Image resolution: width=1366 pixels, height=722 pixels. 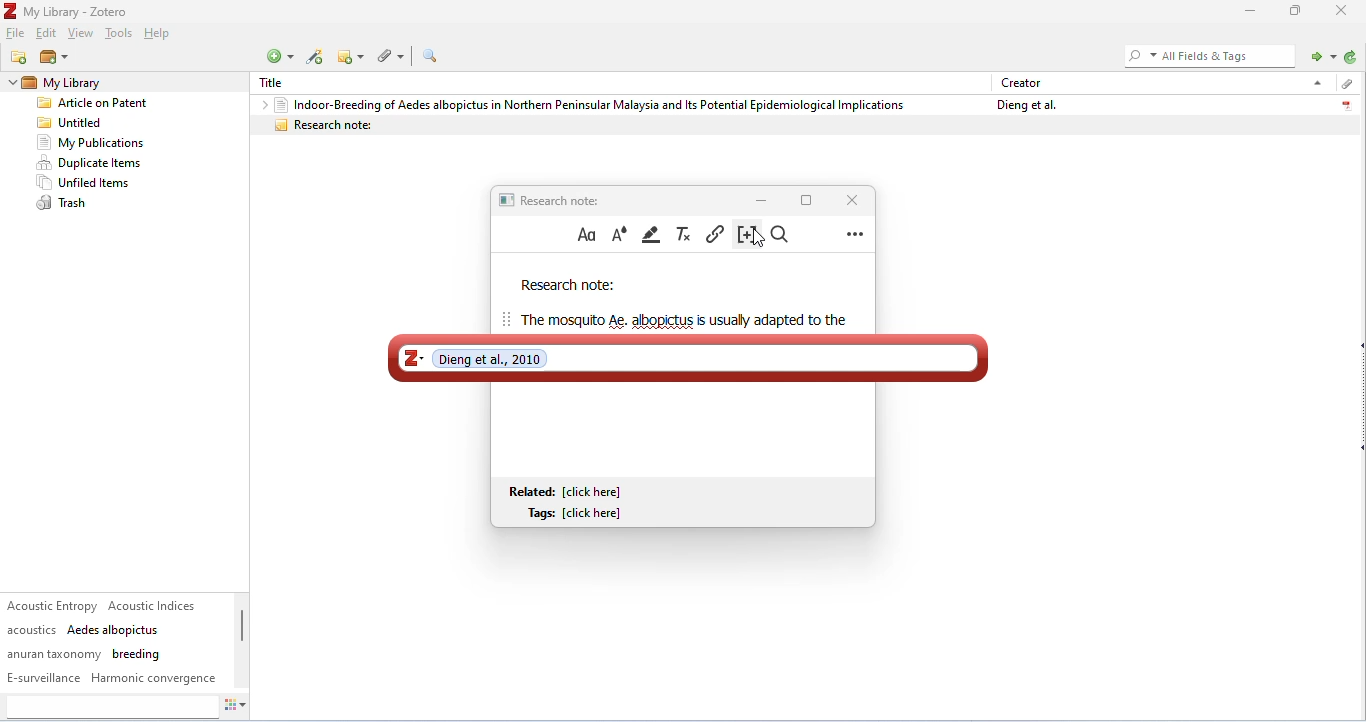 I want to click on view, so click(x=81, y=34).